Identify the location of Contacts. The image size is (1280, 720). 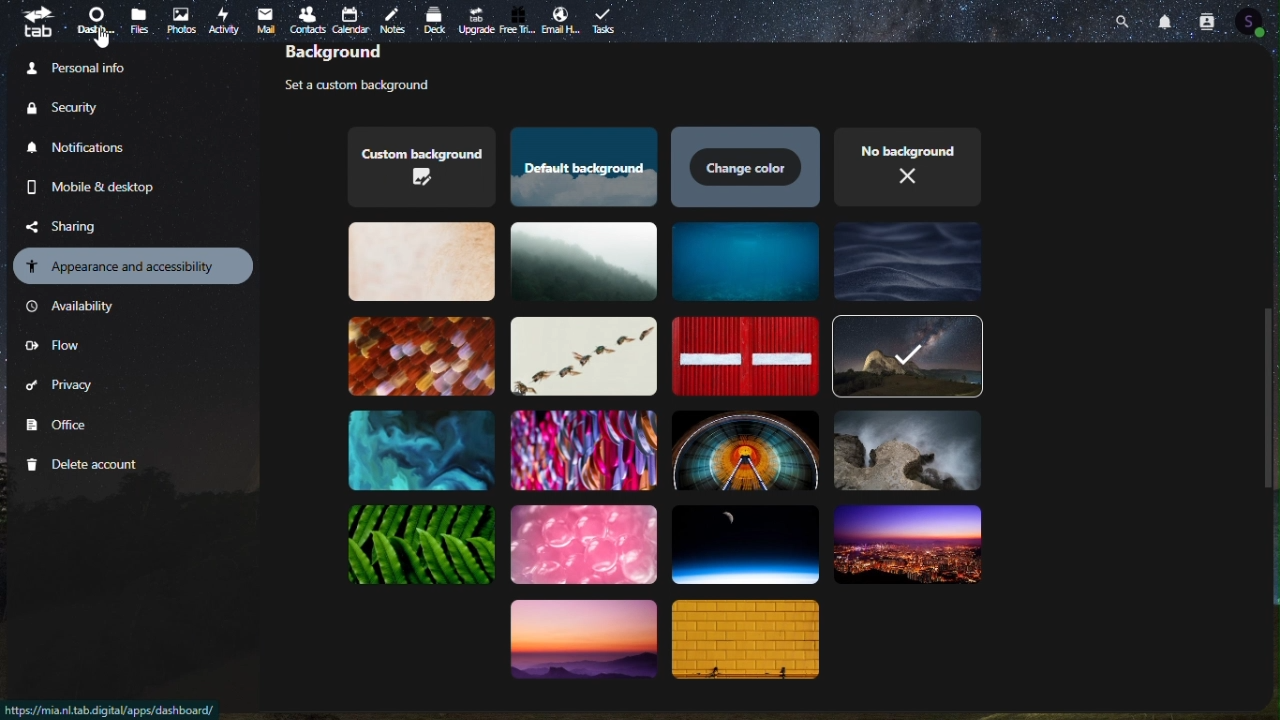
(306, 18).